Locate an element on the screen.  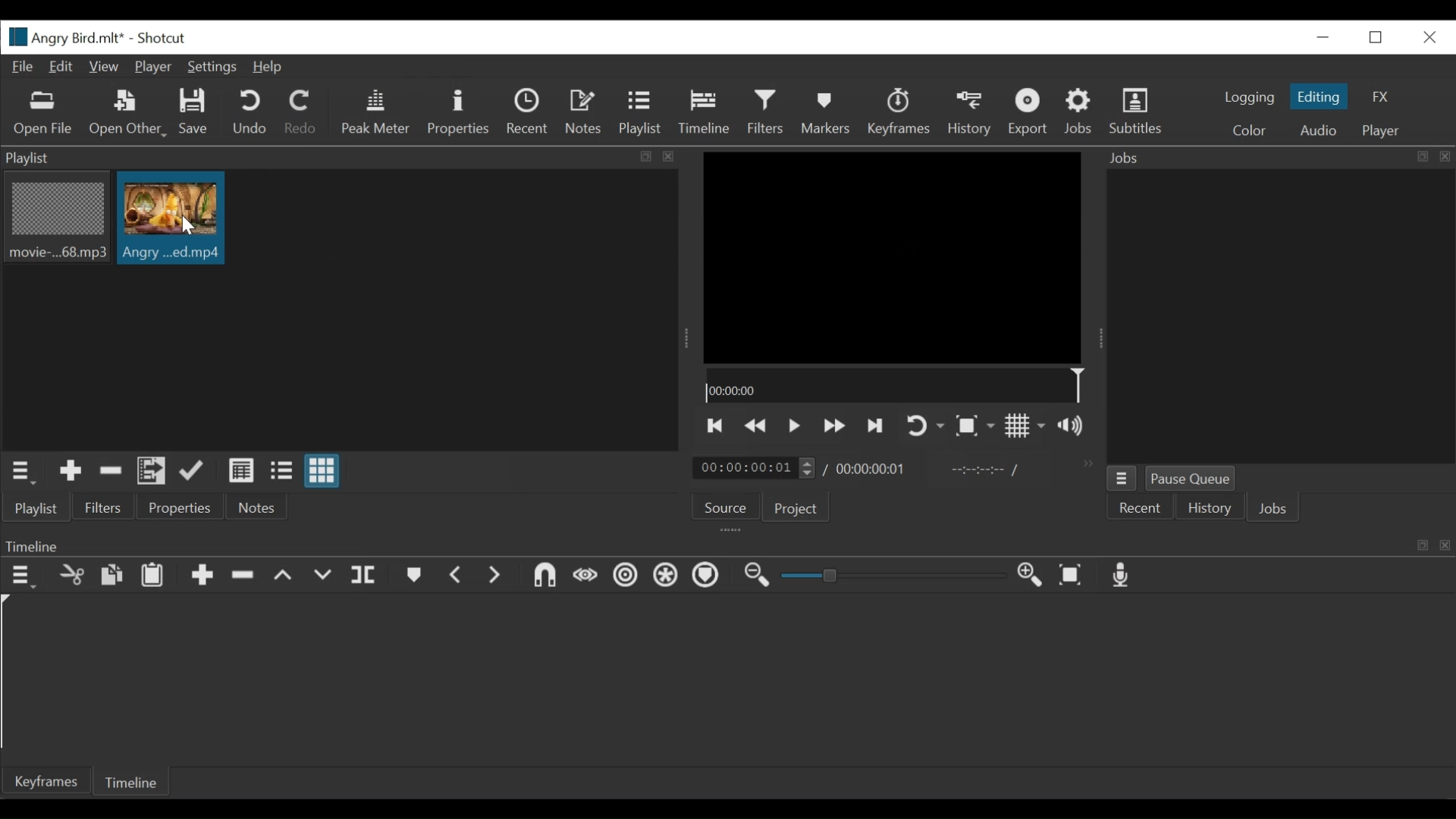
Settings is located at coordinates (212, 67).